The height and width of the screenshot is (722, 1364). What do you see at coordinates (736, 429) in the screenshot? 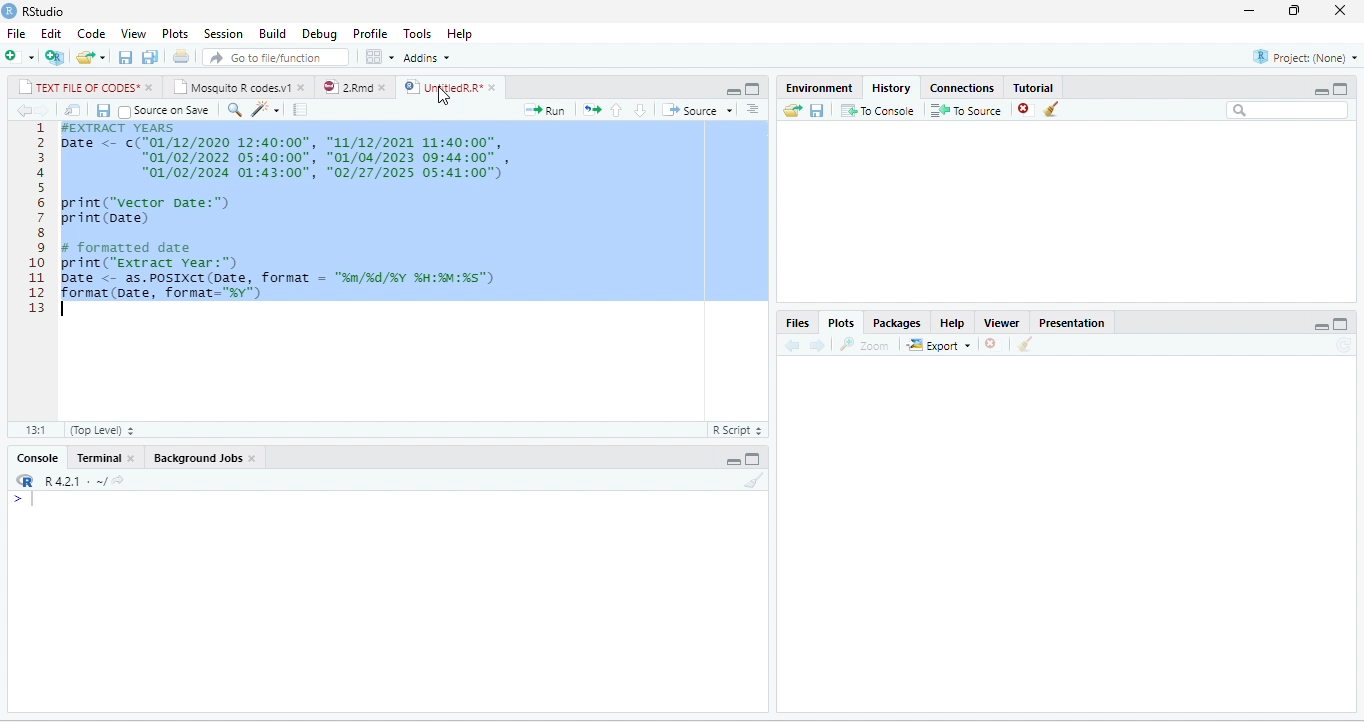
I see `R Script` at bounding box center [736, 429].